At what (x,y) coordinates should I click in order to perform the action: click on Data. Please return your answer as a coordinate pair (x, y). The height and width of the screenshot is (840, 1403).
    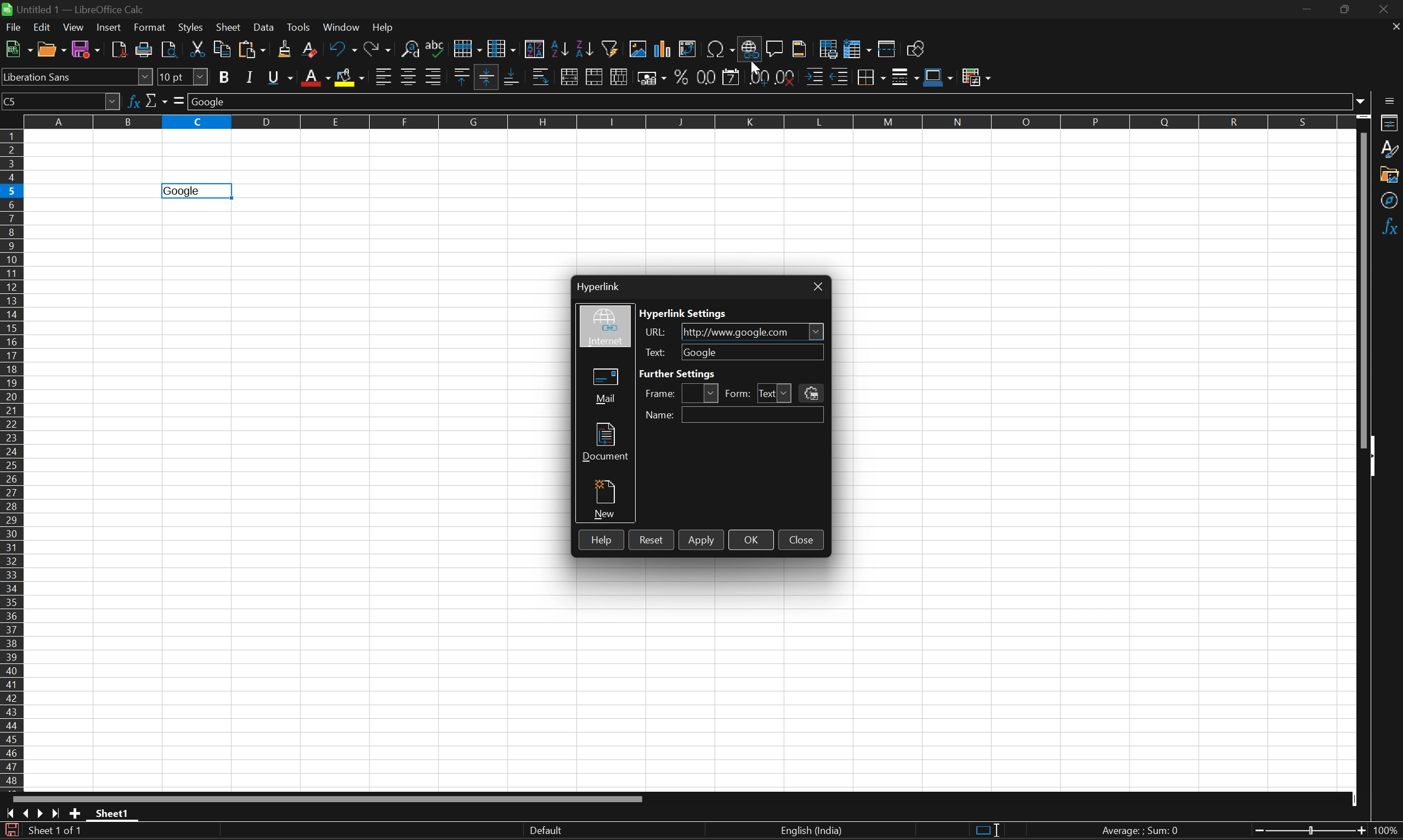
    Looking at the image, I should click on (266, 28).